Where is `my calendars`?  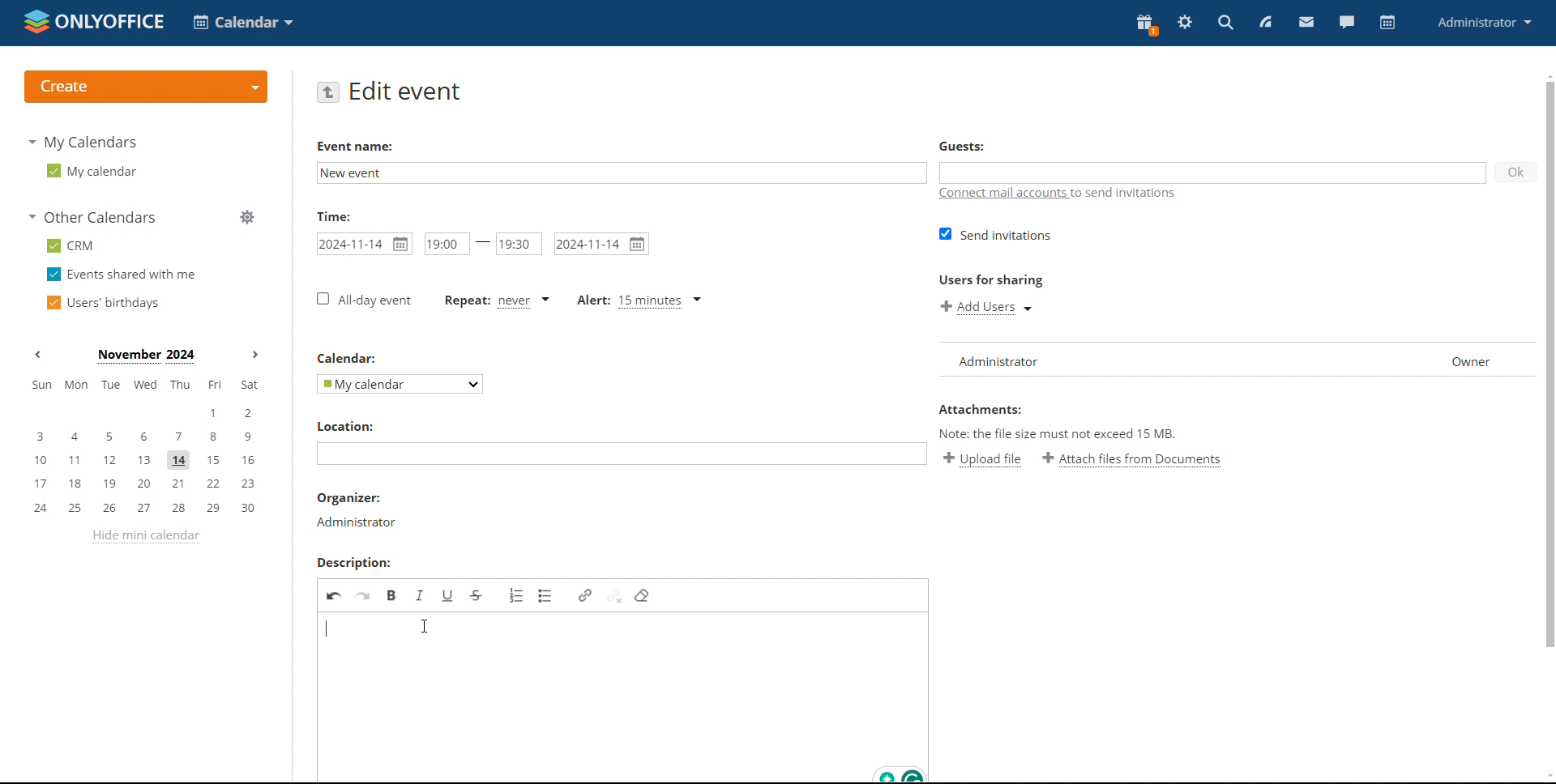
my calendars is located at coordinates (80, 141).